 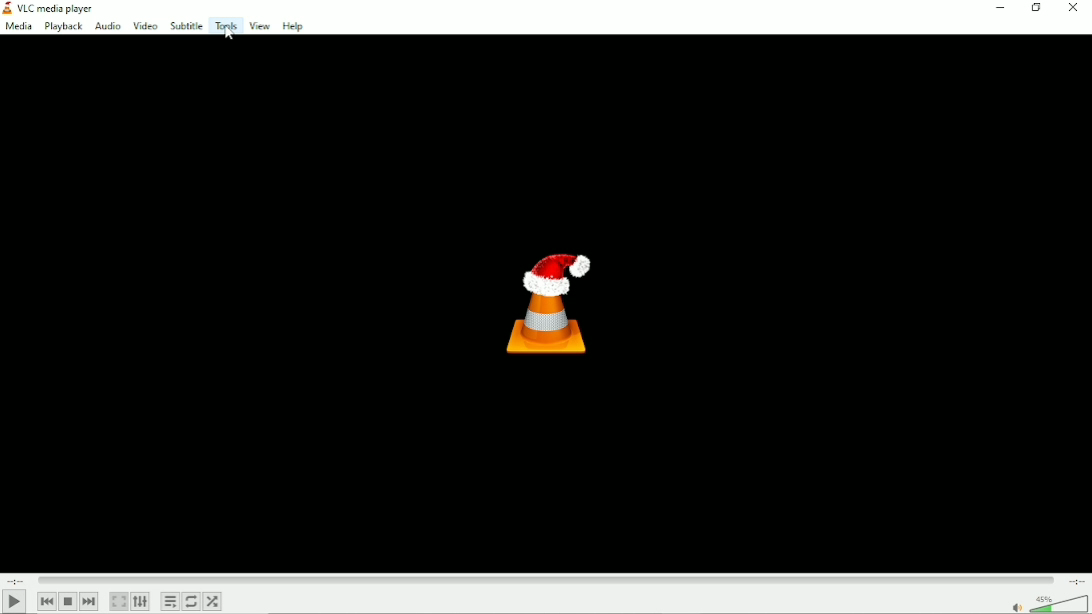 What do you see at coordinates (143, 24) in the screenshot?
I see `Video` at bounding box center [143, 24].